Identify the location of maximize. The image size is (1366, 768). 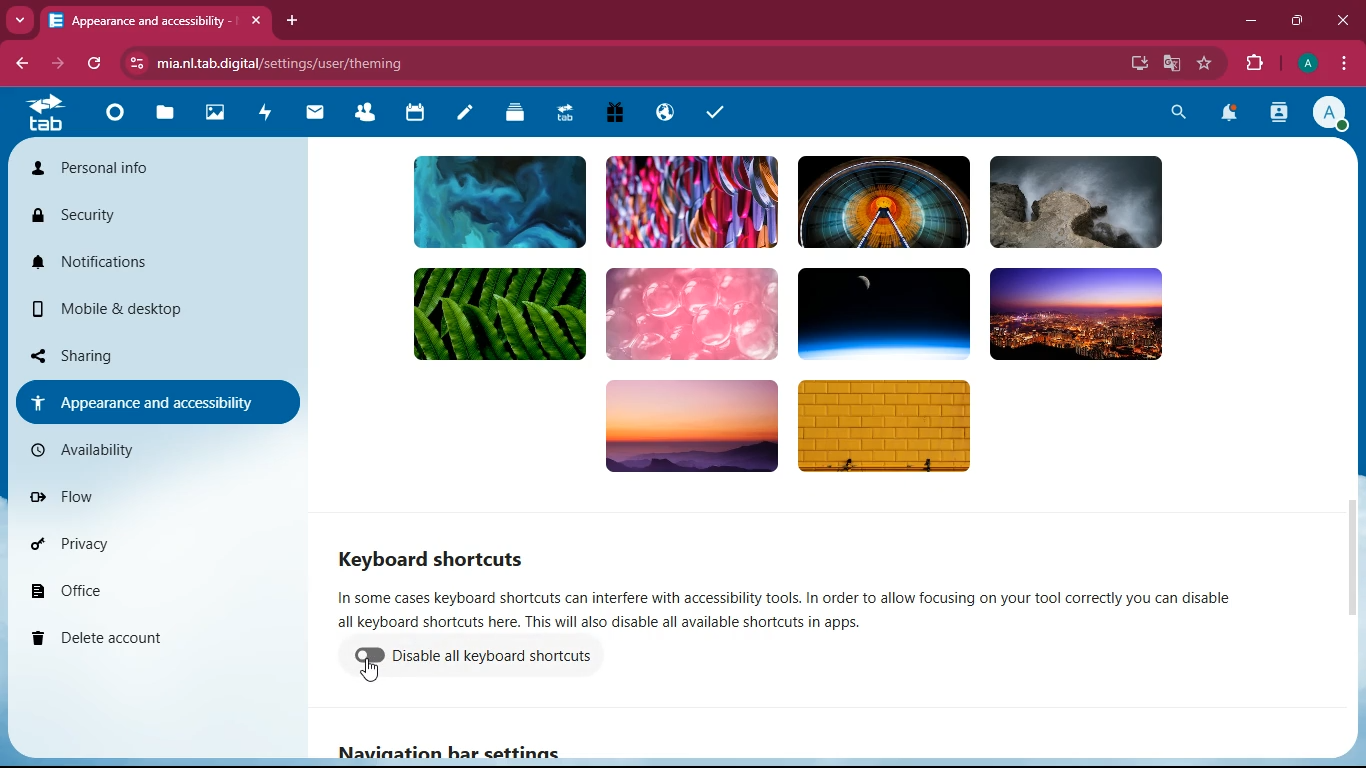
(1297, 22).